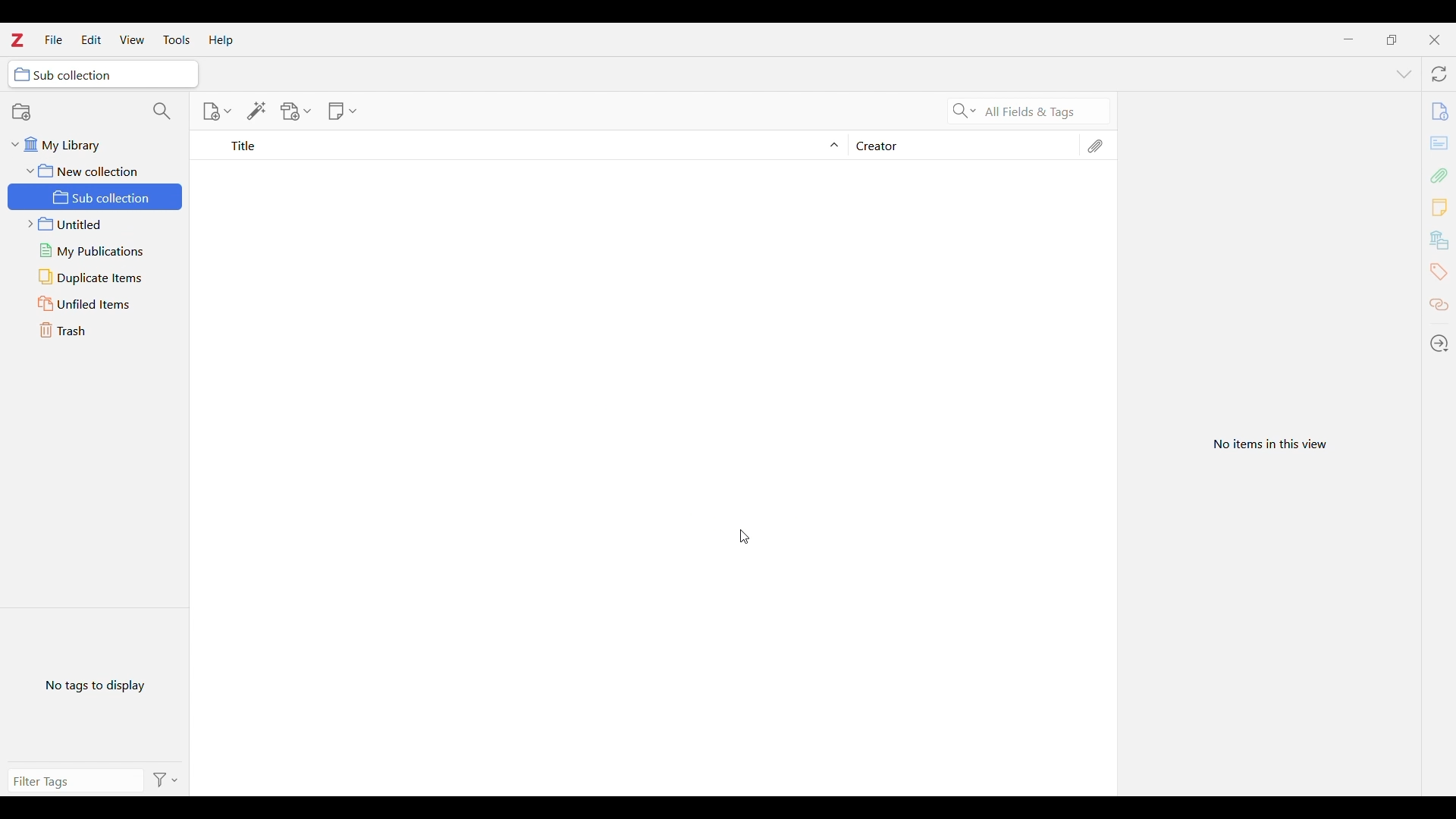  What do you see at coordinates (95, 303) in the screenshot?
I see `Trash folder` at bounding box center [95, 303].